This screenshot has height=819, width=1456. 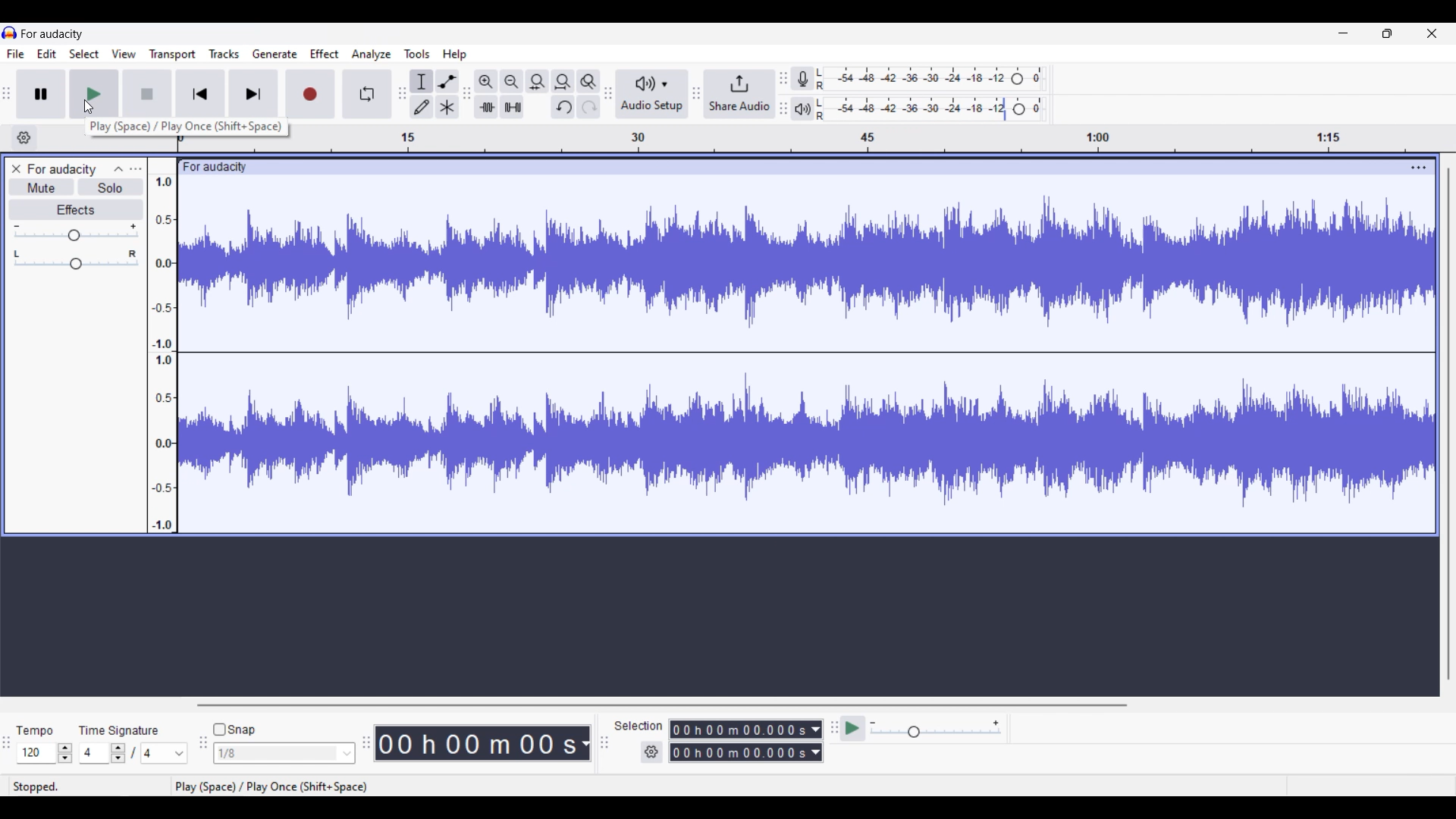 I want to click on Indicates time signature settings, so click(x=118, y=730).